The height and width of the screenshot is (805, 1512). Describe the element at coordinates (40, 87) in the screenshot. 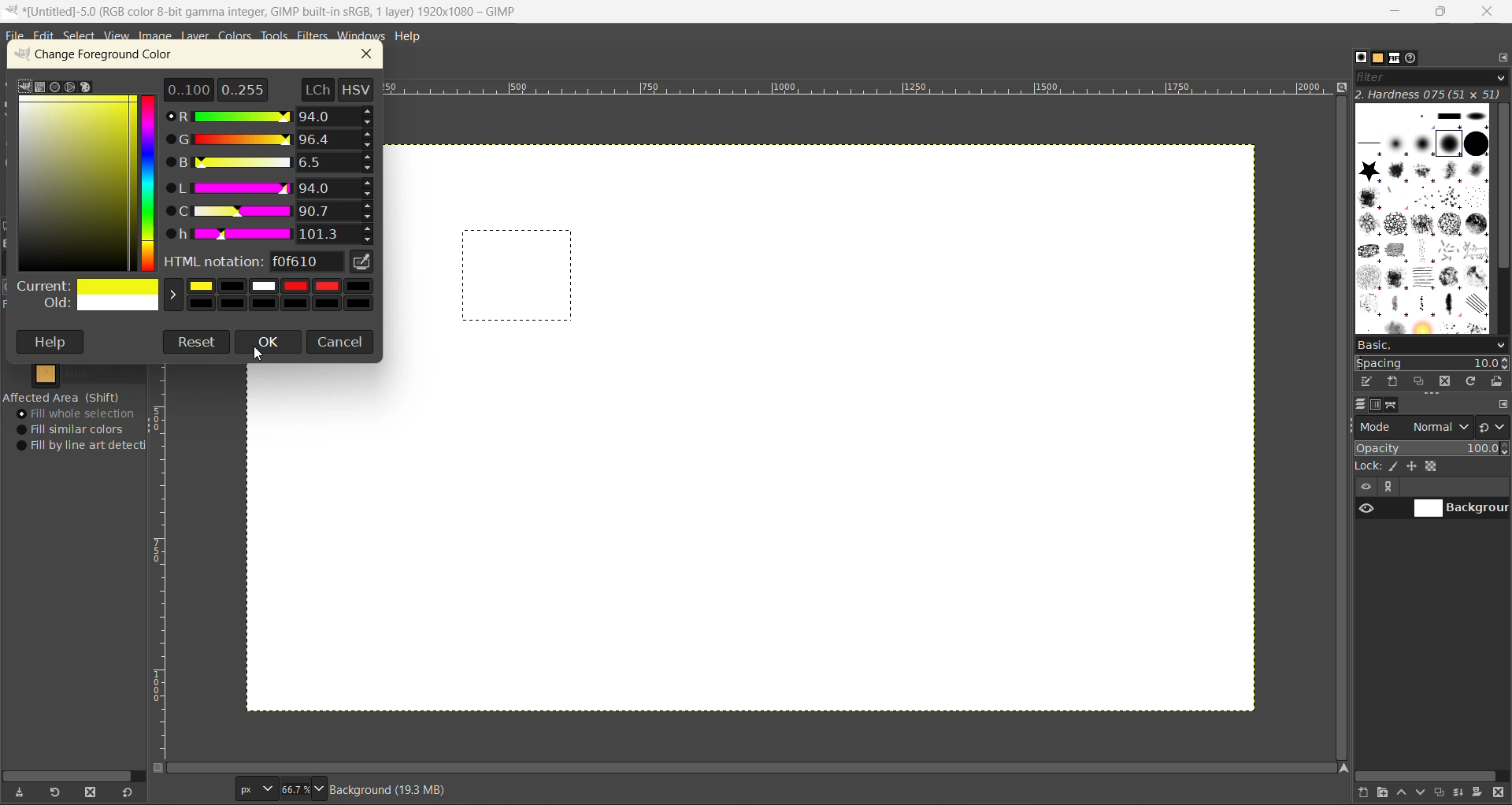

I see `cmyk` at that location.